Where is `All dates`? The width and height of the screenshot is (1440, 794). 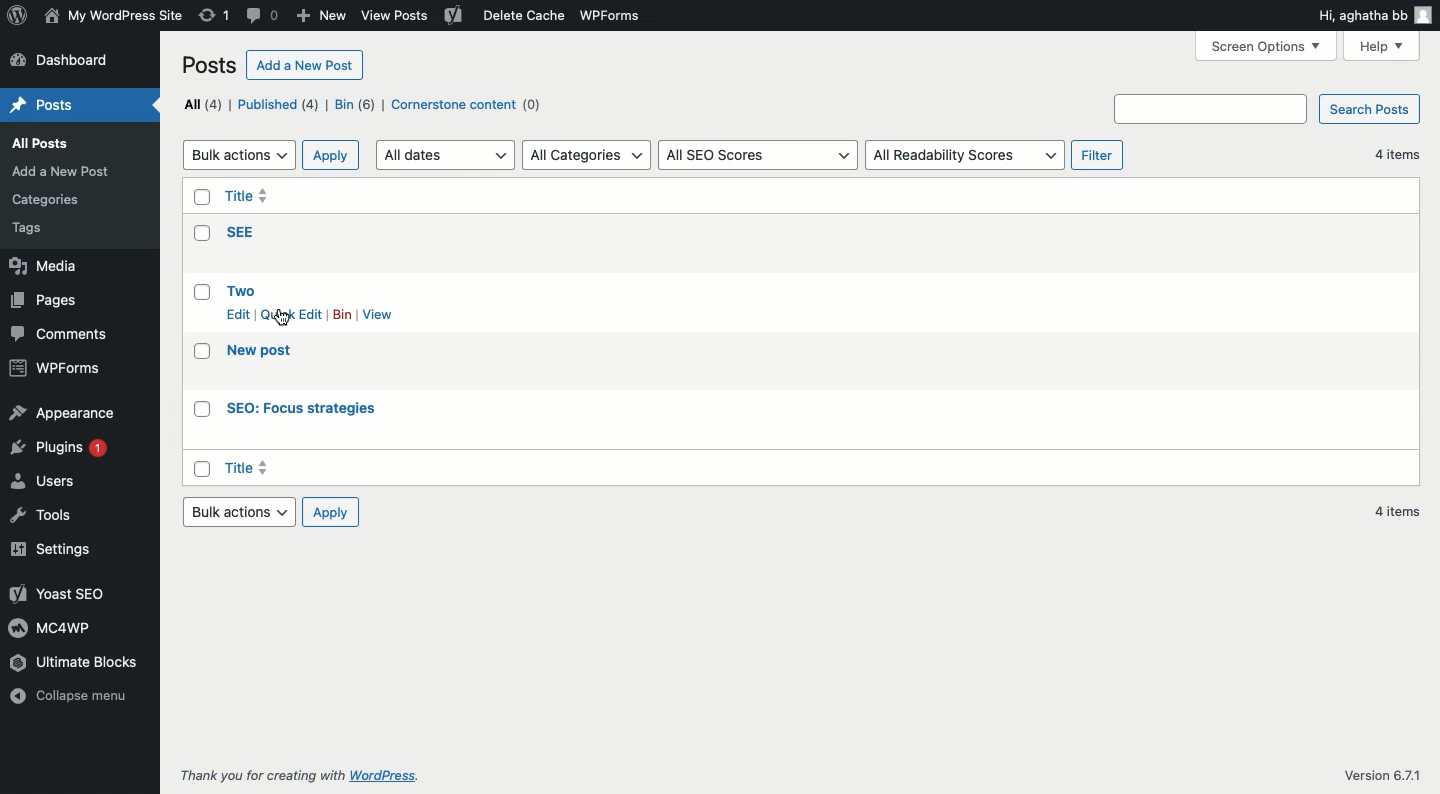
All dates is located at coordinates (445, 156).